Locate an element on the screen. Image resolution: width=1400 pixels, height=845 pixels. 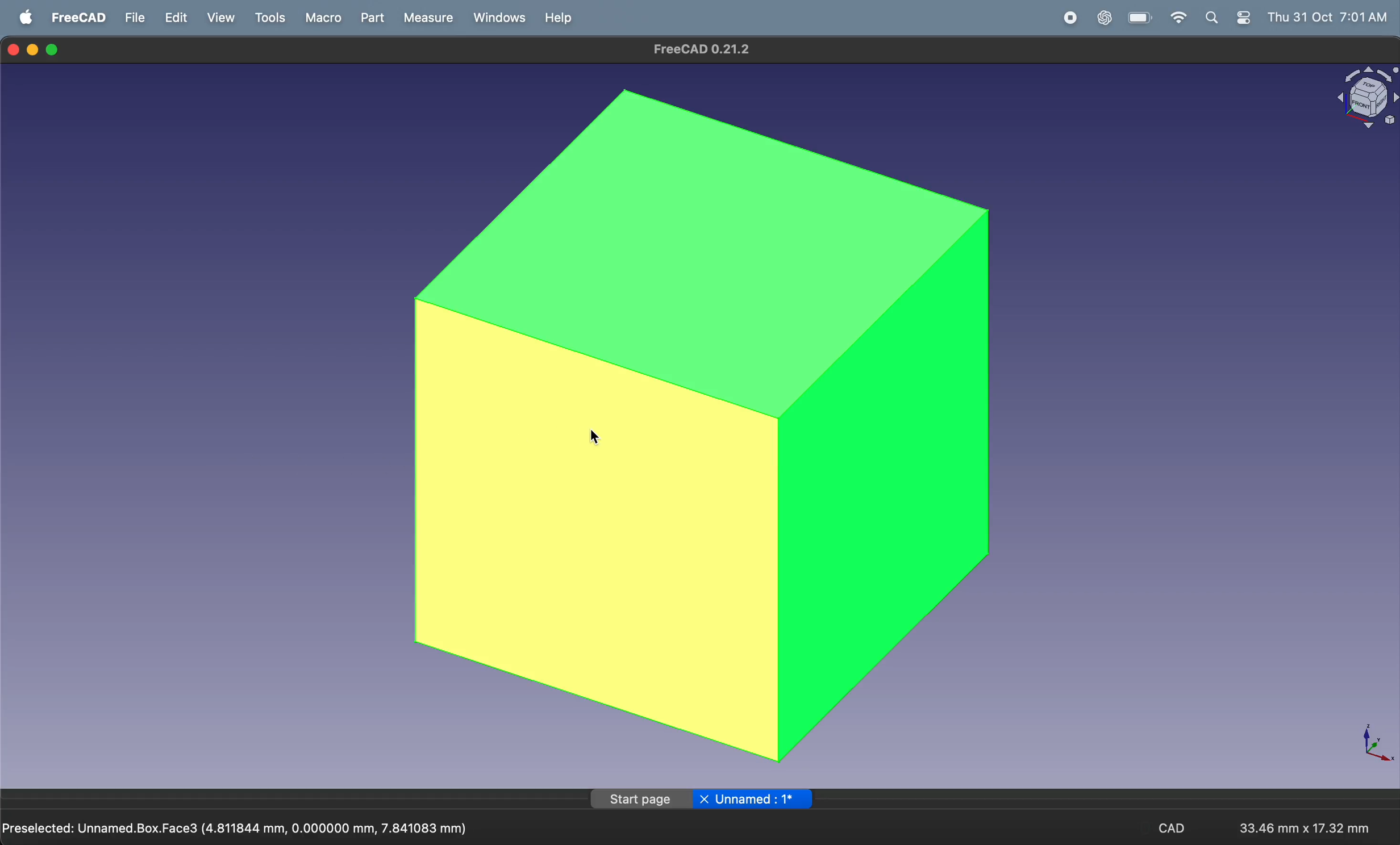
object view is located at coordinates (1366, 99).